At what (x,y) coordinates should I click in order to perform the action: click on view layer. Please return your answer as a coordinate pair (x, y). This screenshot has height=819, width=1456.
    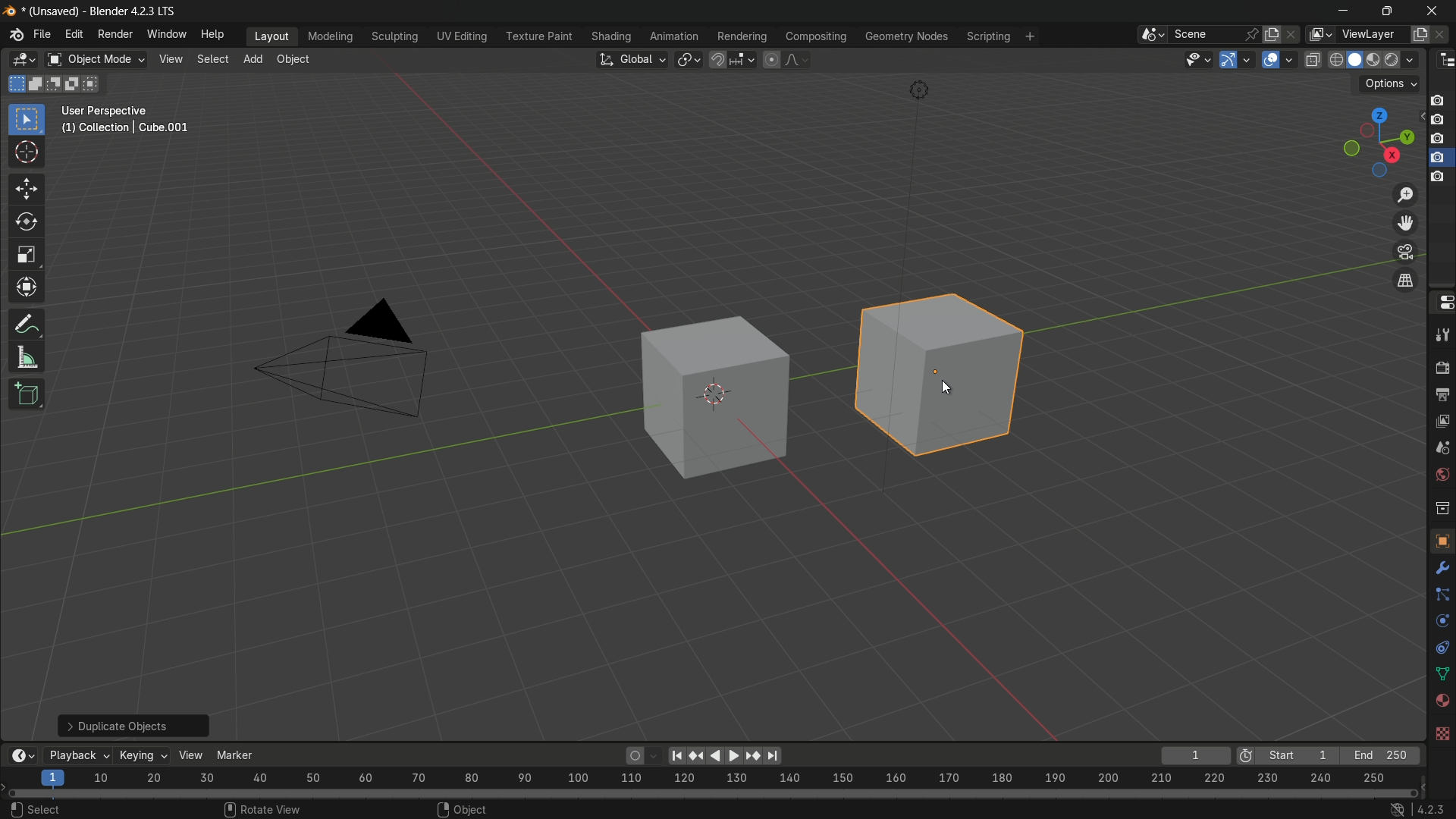
    Looking at the image, I should click on (1442, 419).